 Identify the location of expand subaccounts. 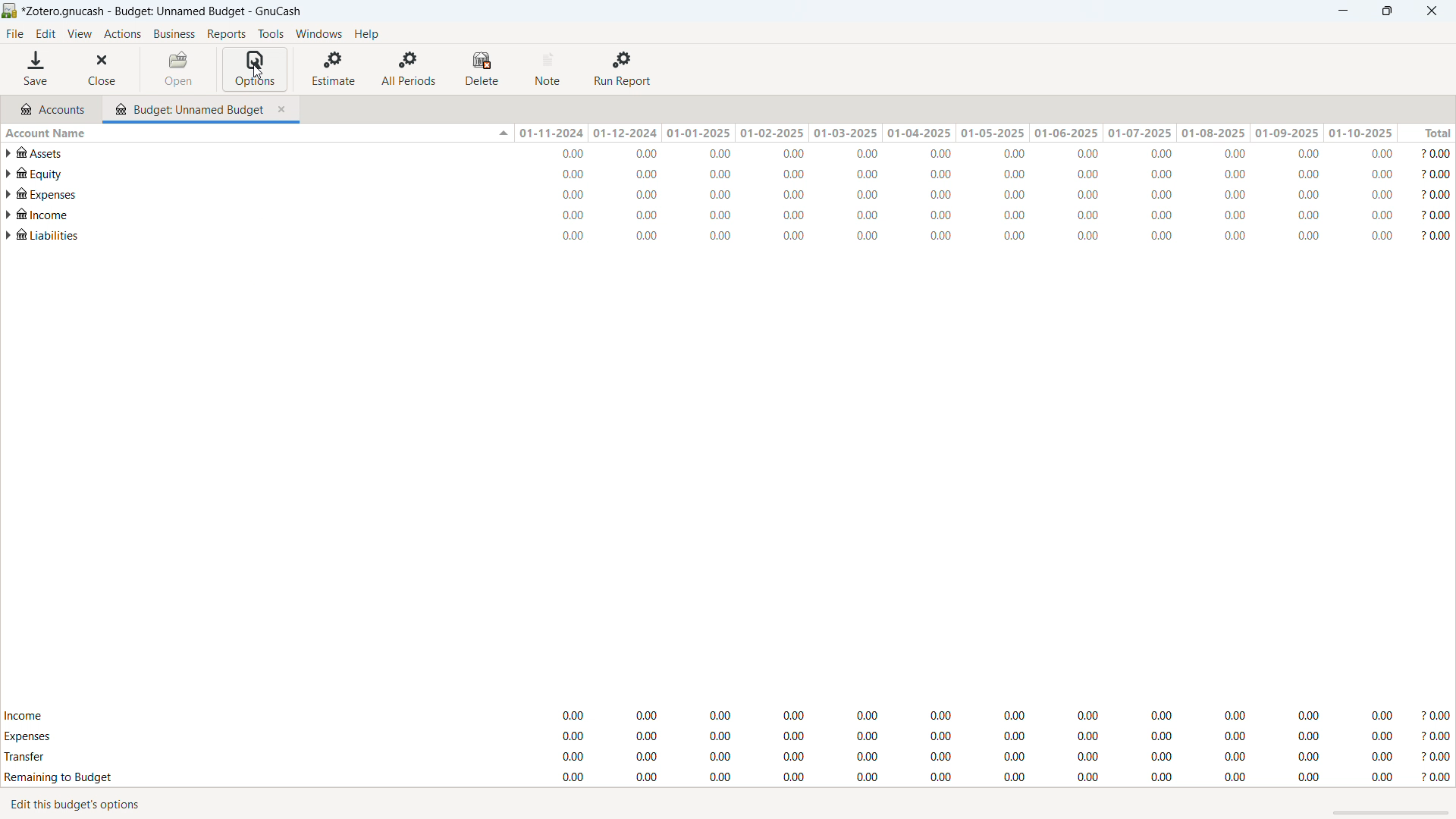
(9, 235).